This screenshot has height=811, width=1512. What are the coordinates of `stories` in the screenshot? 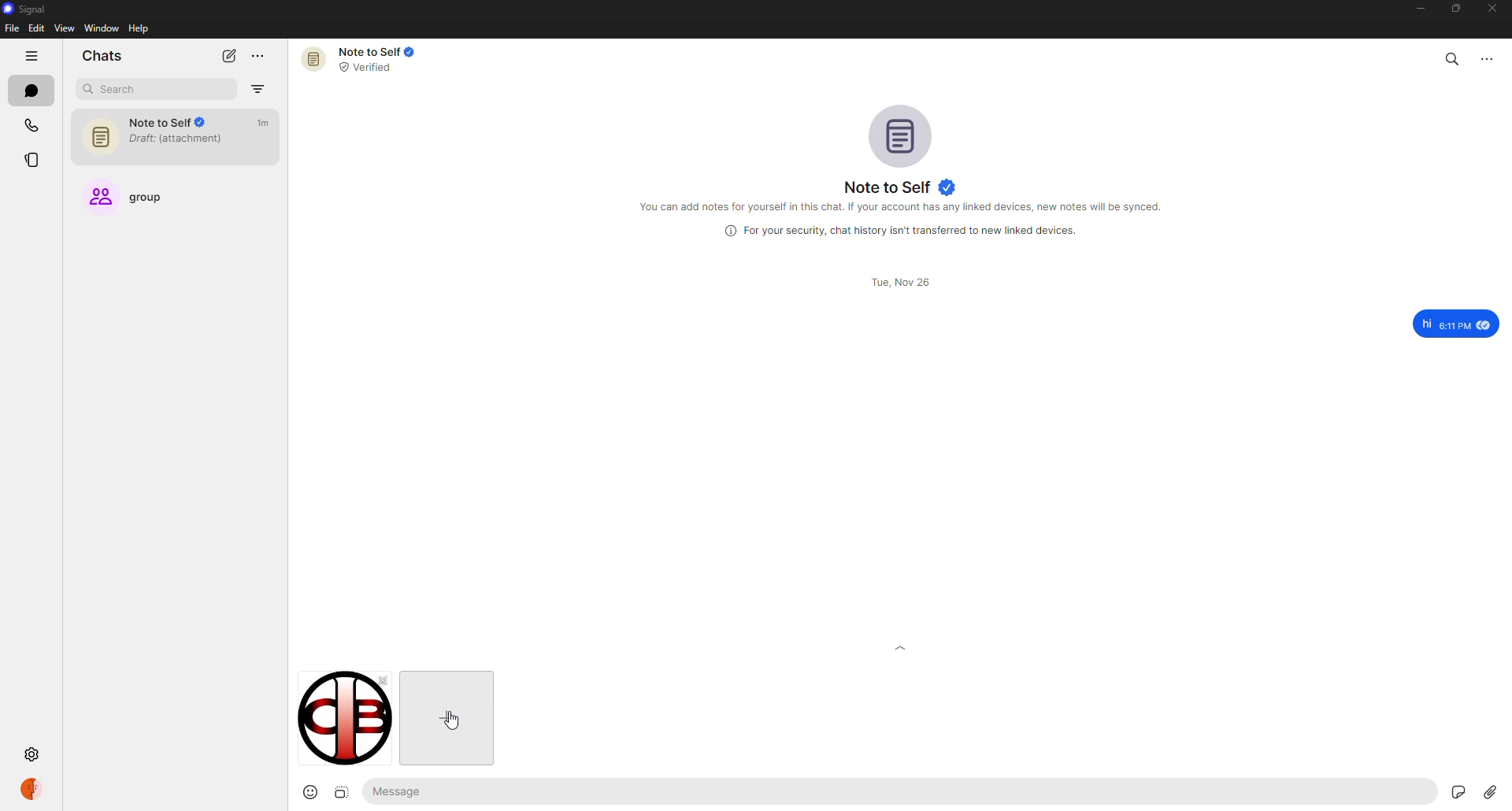 It's located at (30, 159).